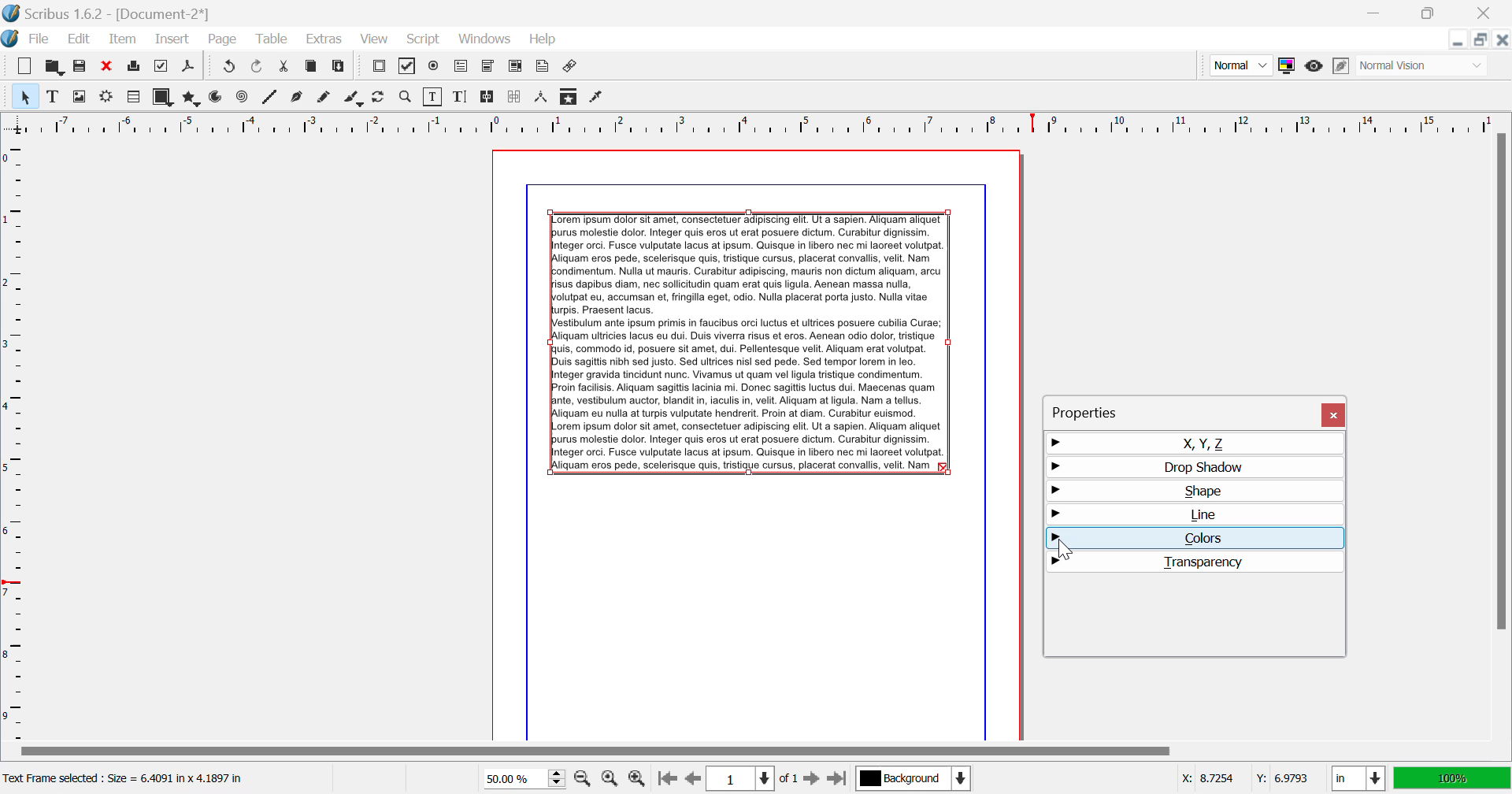 The width and height of the screenshot is (1512, 794). What do you see at coordinates (755, 752) in the screenshot?
I see `Scroll Bar` at bounding box center [755, 752].